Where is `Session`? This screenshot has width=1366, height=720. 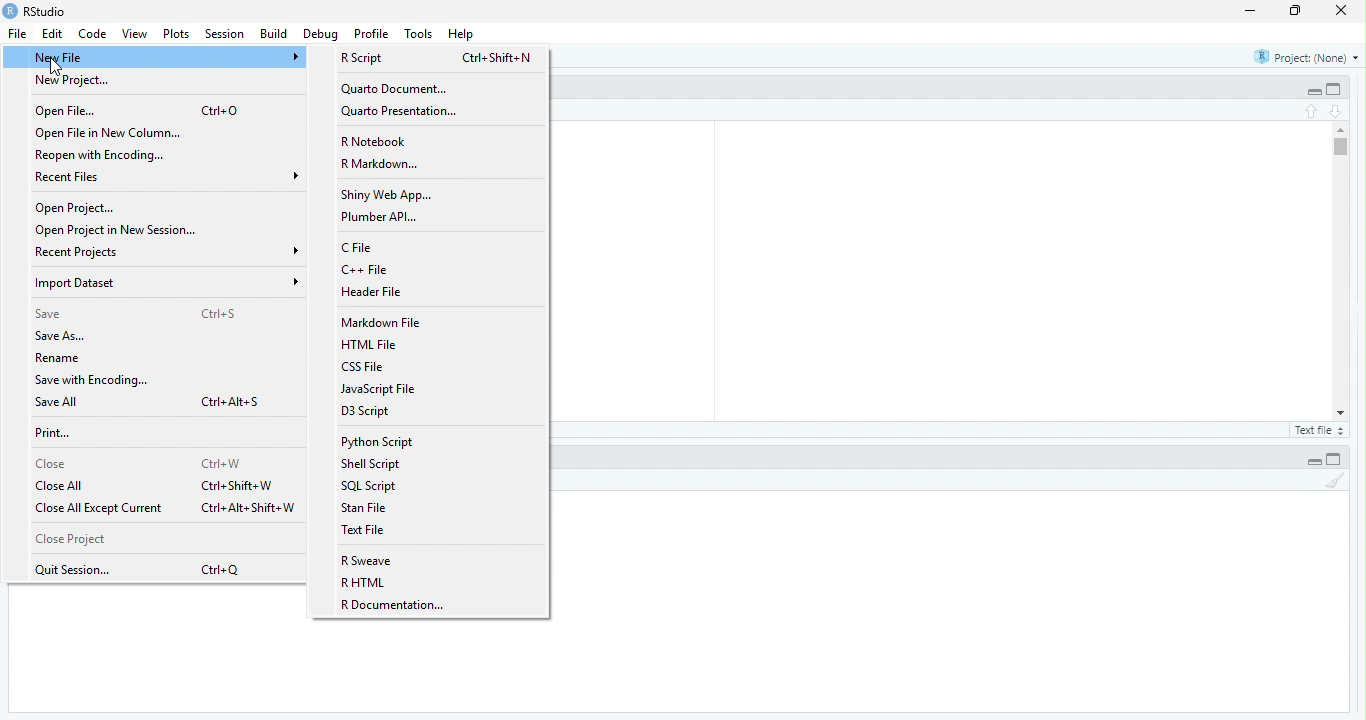
Session is located at coordinates (227, 34).